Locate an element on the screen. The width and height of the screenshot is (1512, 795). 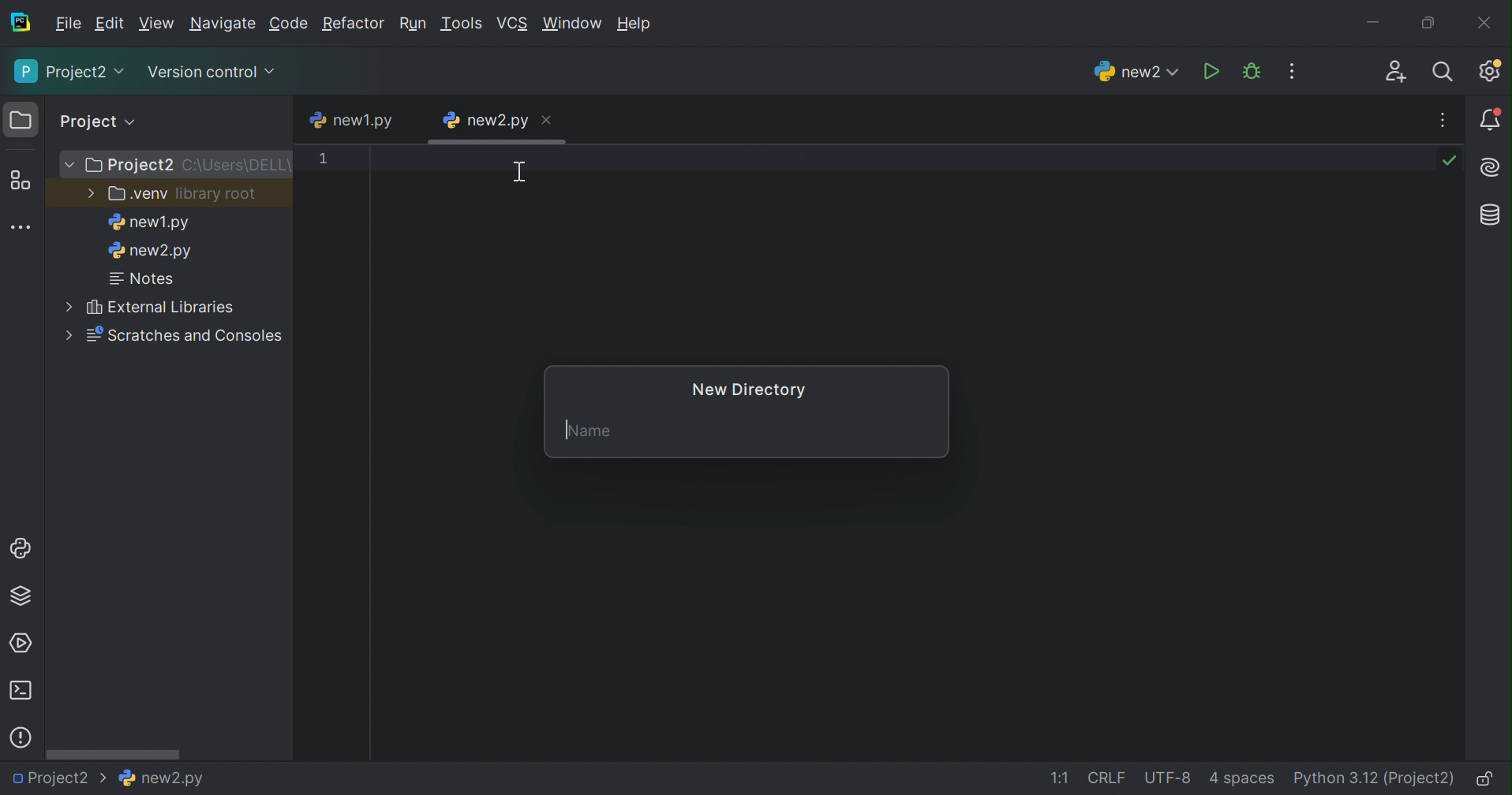
Code is located at coordinates (290, 24).